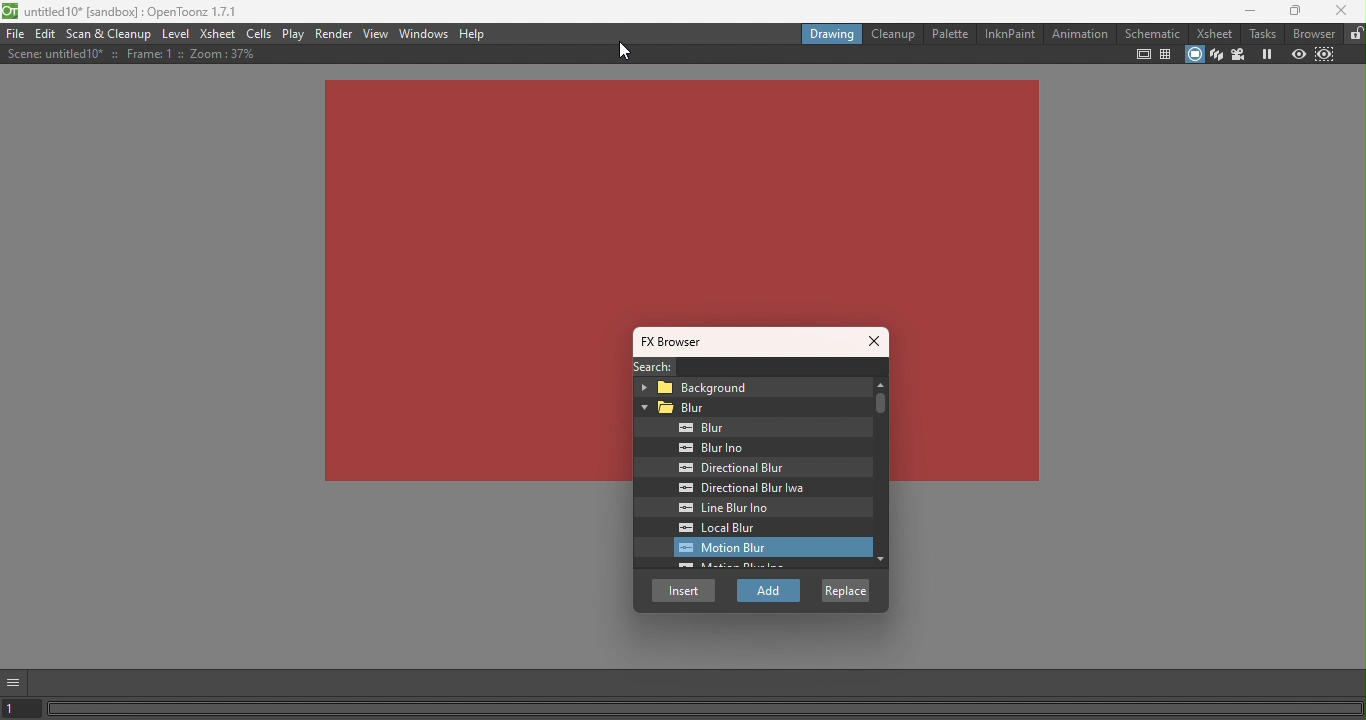 This screenshot has height=720, width=1366. I want to click on Sub-camera preview, so click(1325, 55).